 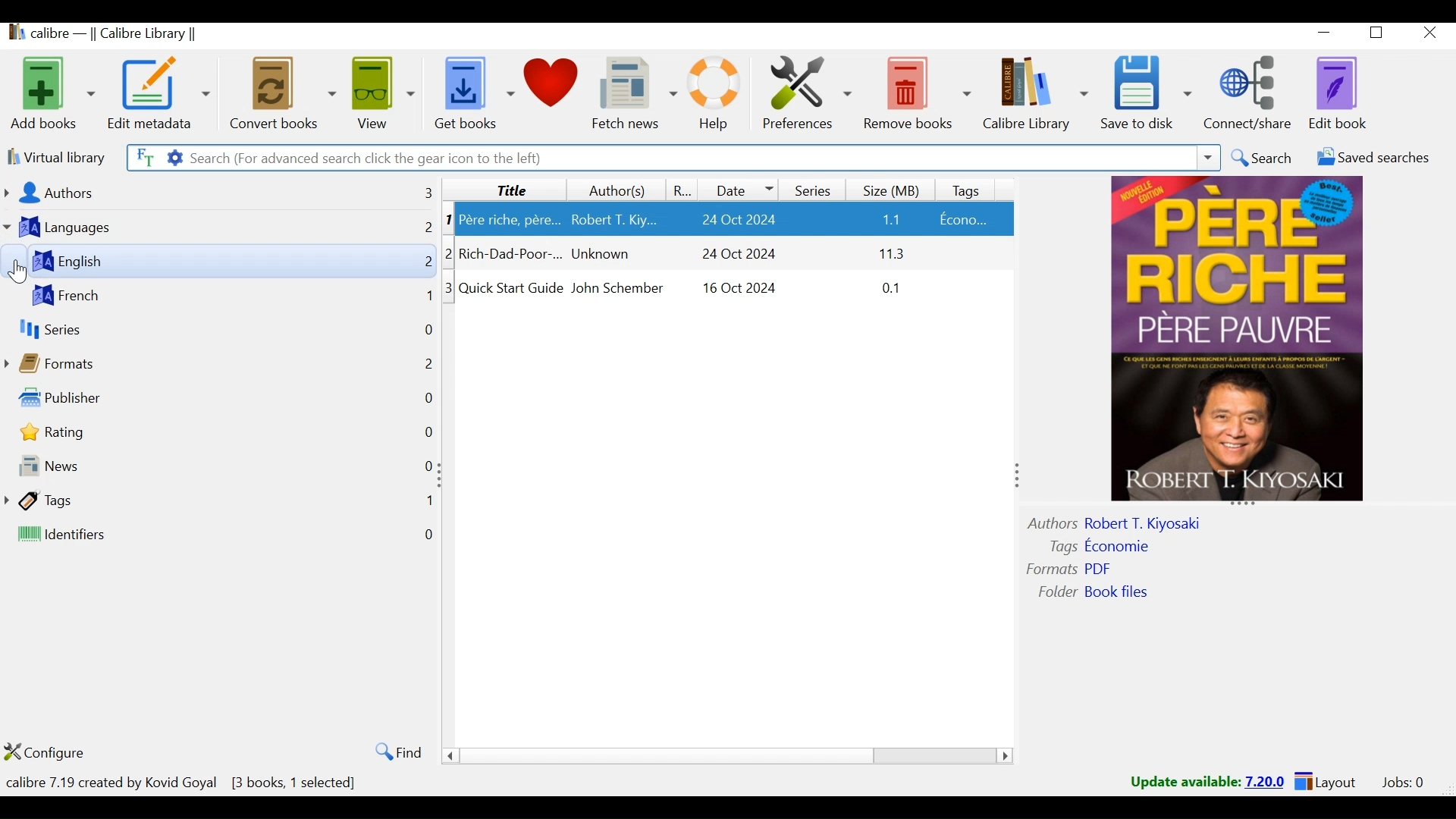 I want to click on find, so click(x=394, y=752).